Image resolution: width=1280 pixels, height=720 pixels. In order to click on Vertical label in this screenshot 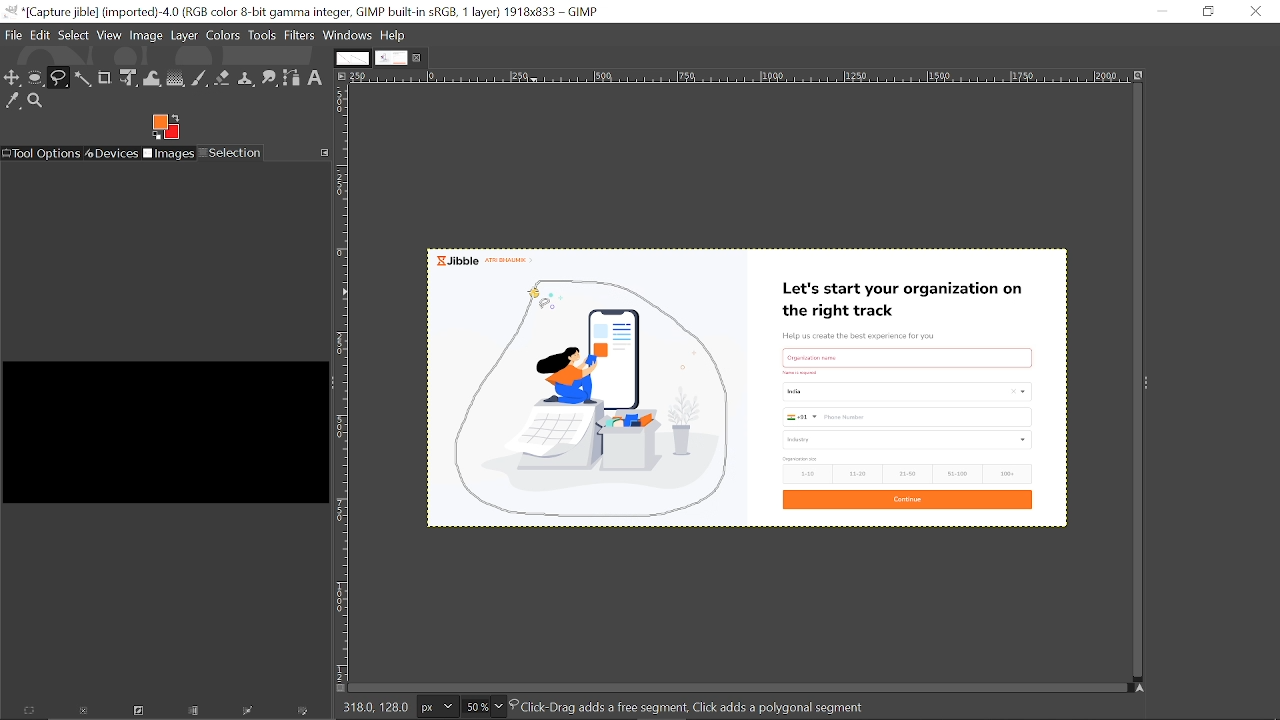, I will do `click(344, 384)`.